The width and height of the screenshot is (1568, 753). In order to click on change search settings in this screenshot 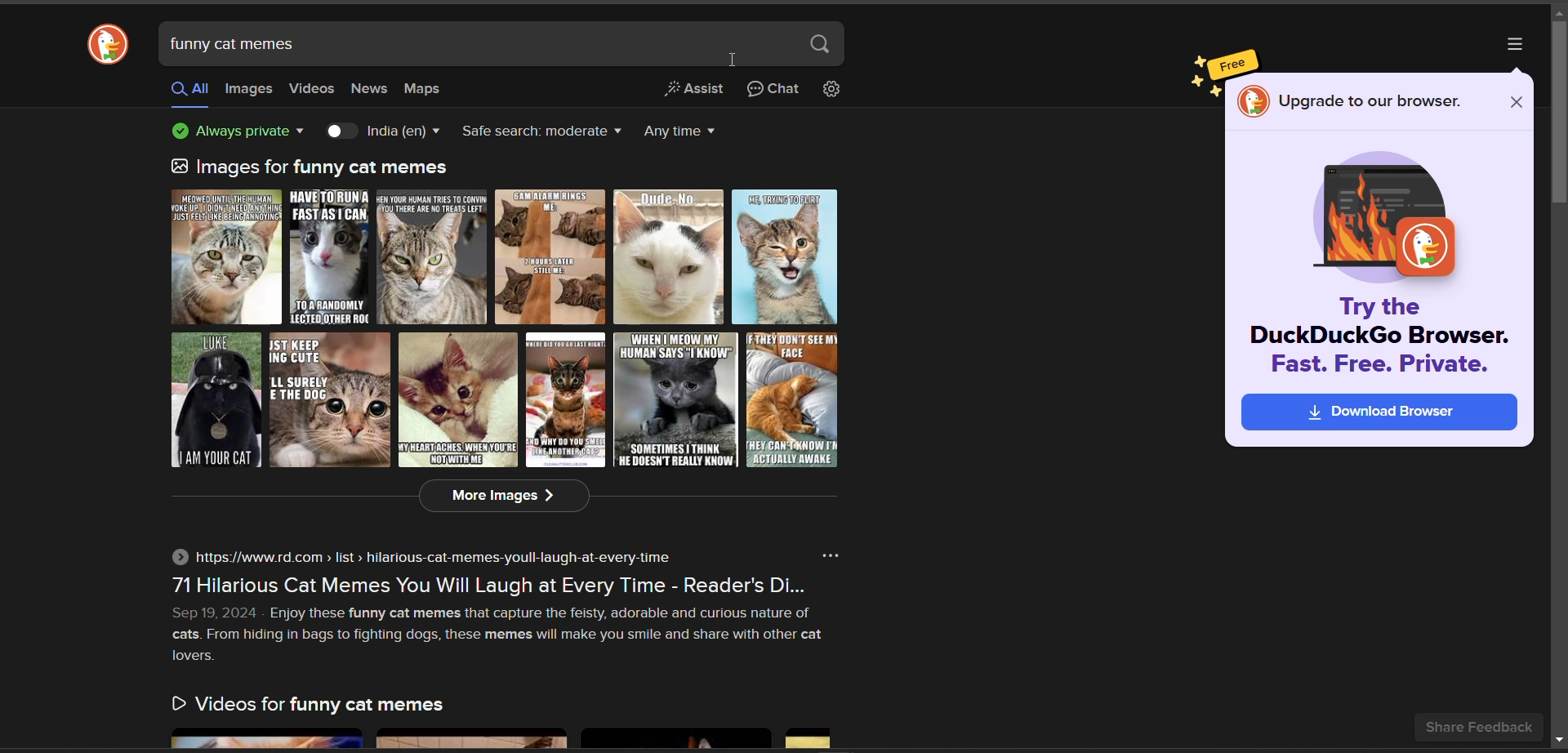, I will do `click(832, 93)`.